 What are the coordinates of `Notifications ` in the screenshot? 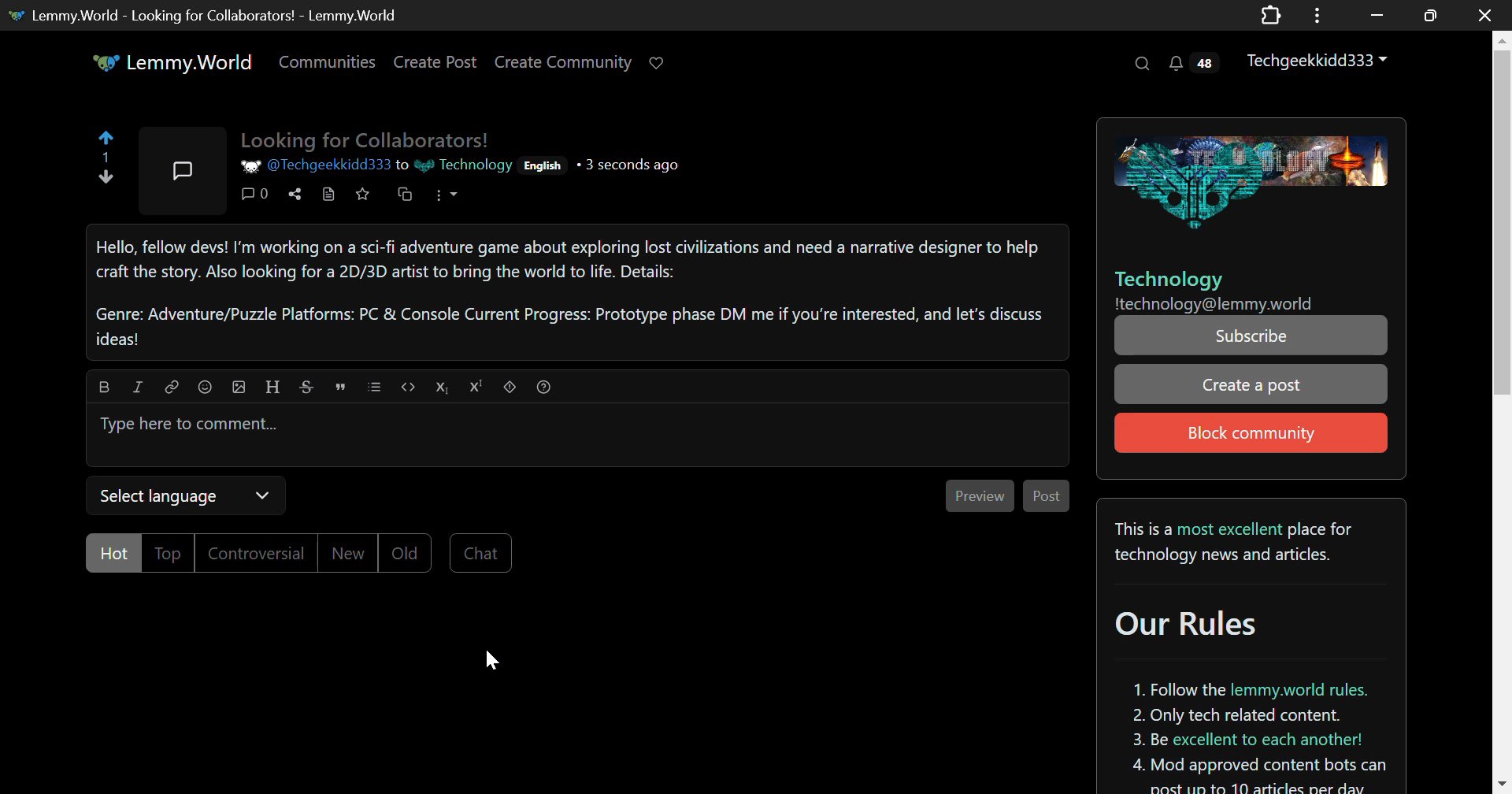 It's located at (1191, 65).